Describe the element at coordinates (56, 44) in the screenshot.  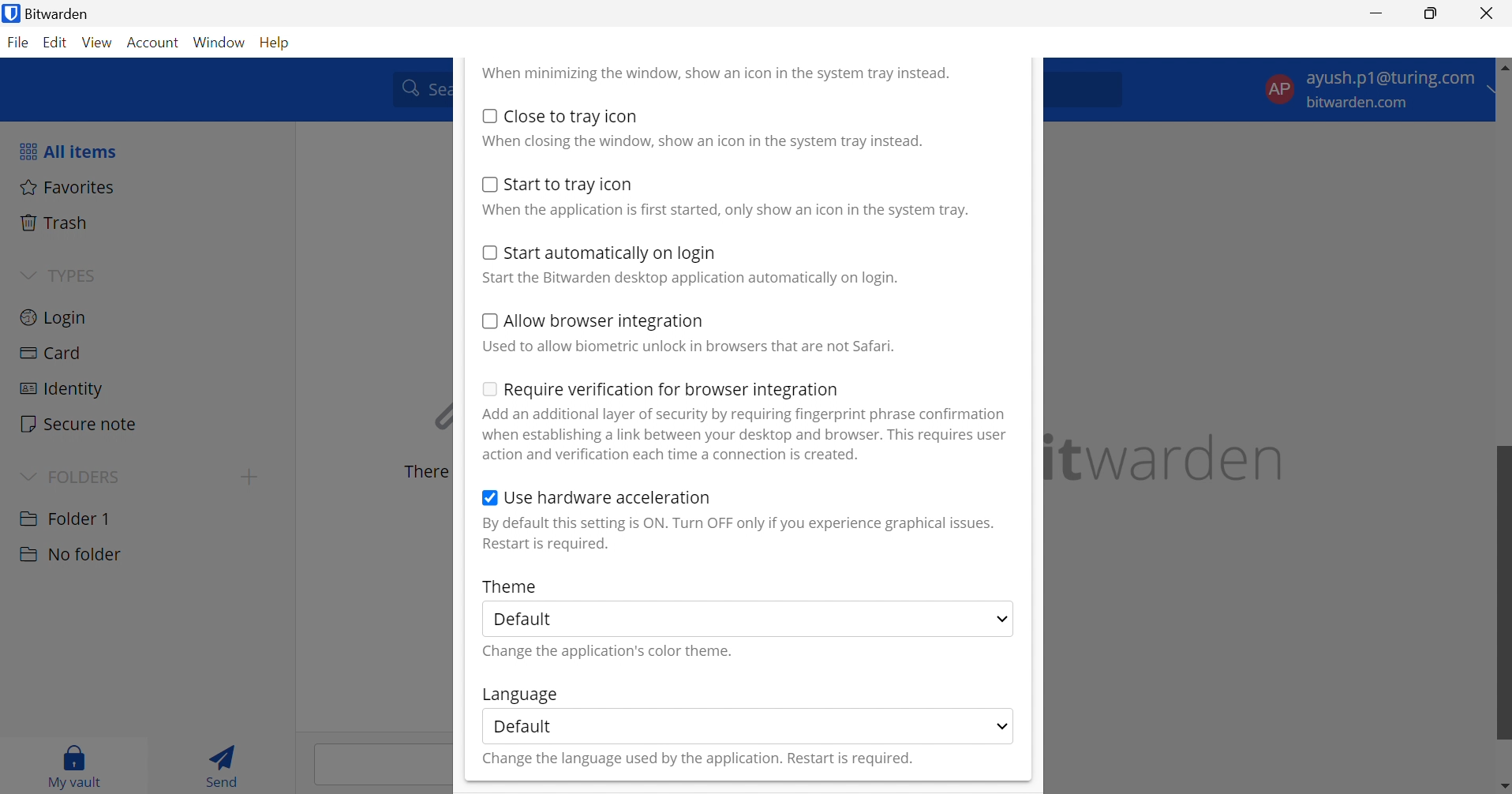
I see `Edit` at that location.